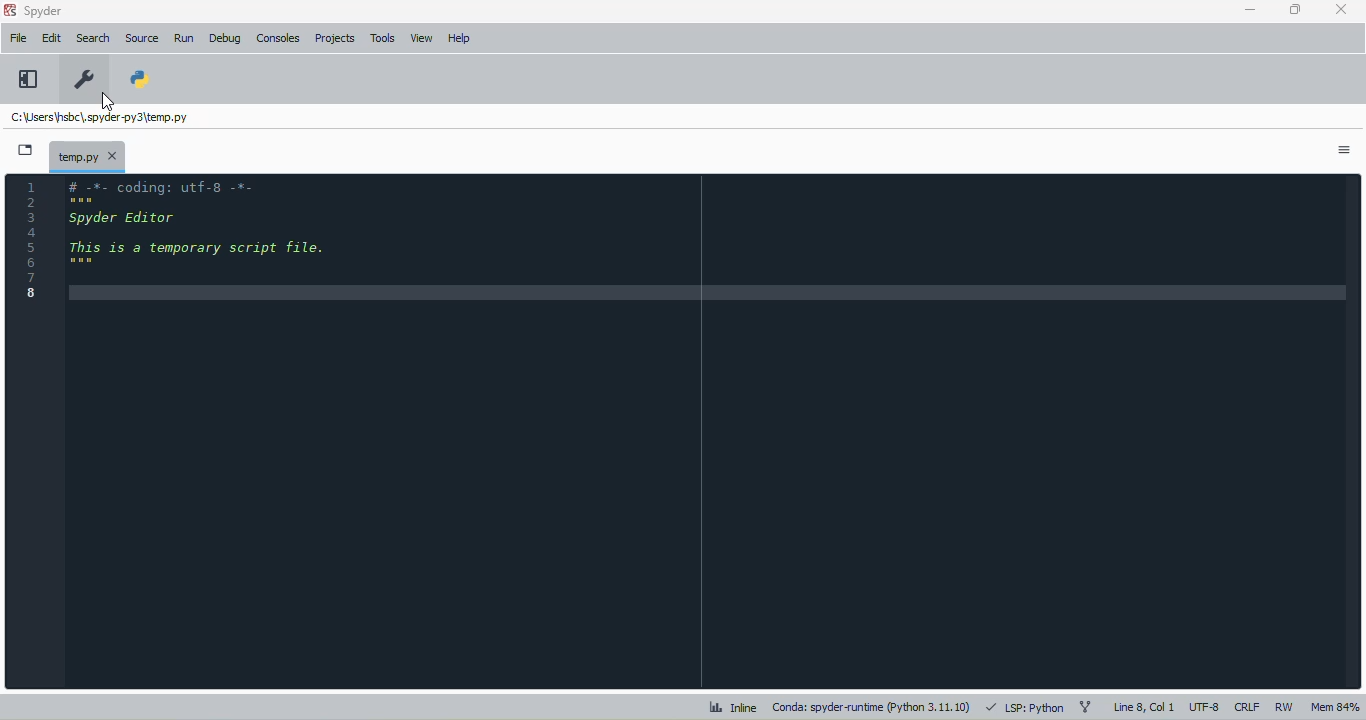  I want to click on close, so click(1342, 10).